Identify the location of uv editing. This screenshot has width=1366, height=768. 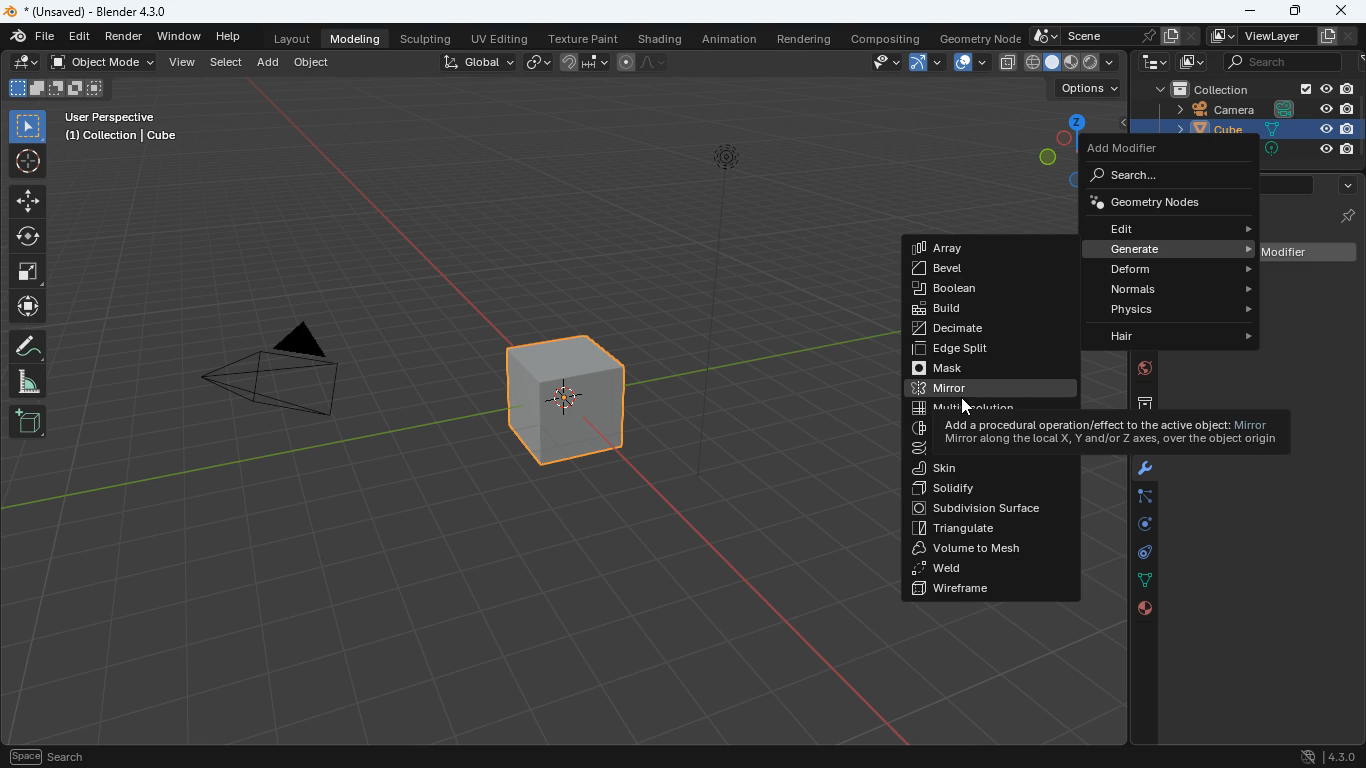
(505, 39).